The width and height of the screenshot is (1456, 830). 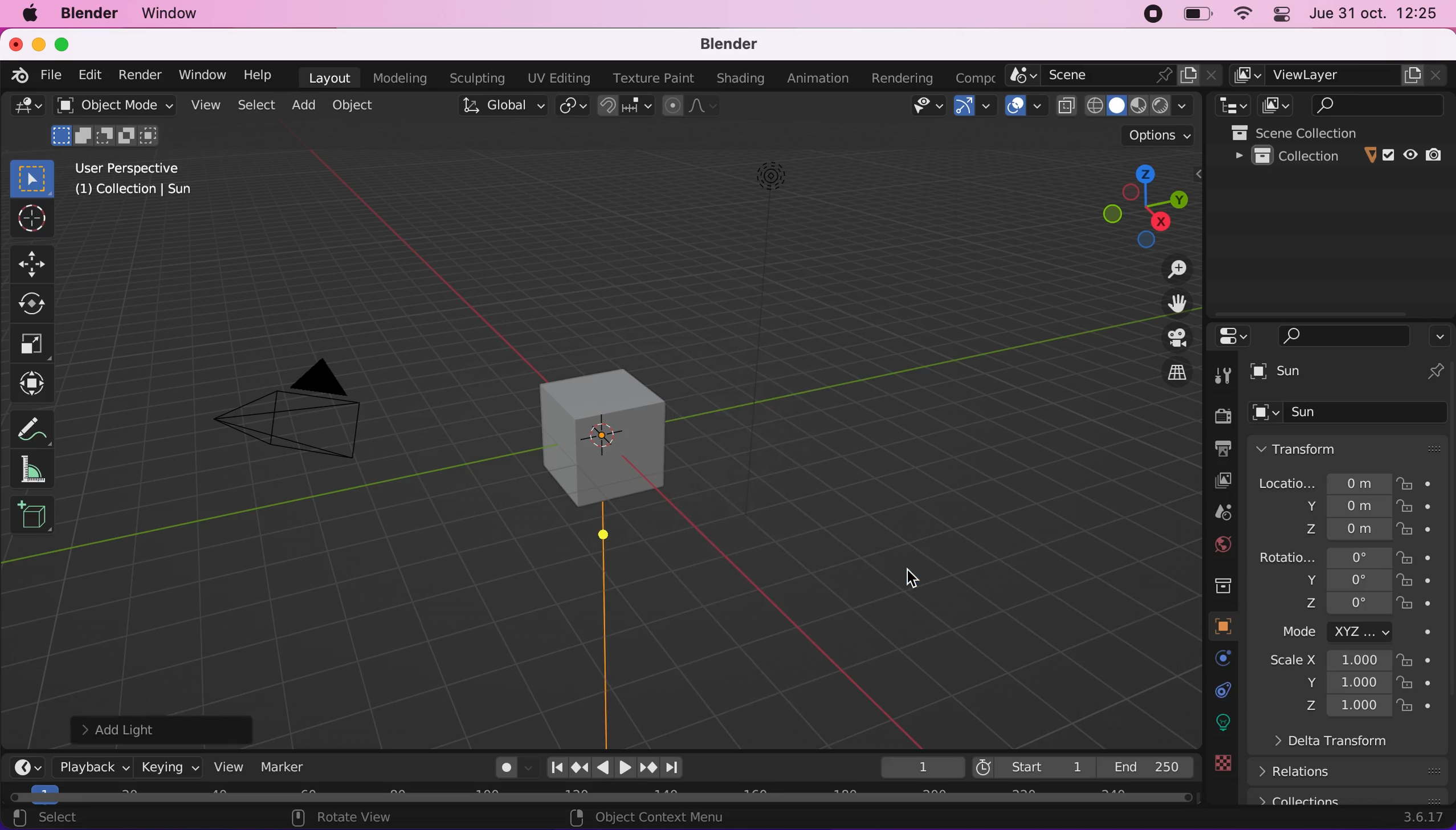 What do you see at coordinates (21, 76) in the screenshot?
I see `blender logo` at bounding box center [21, 76].